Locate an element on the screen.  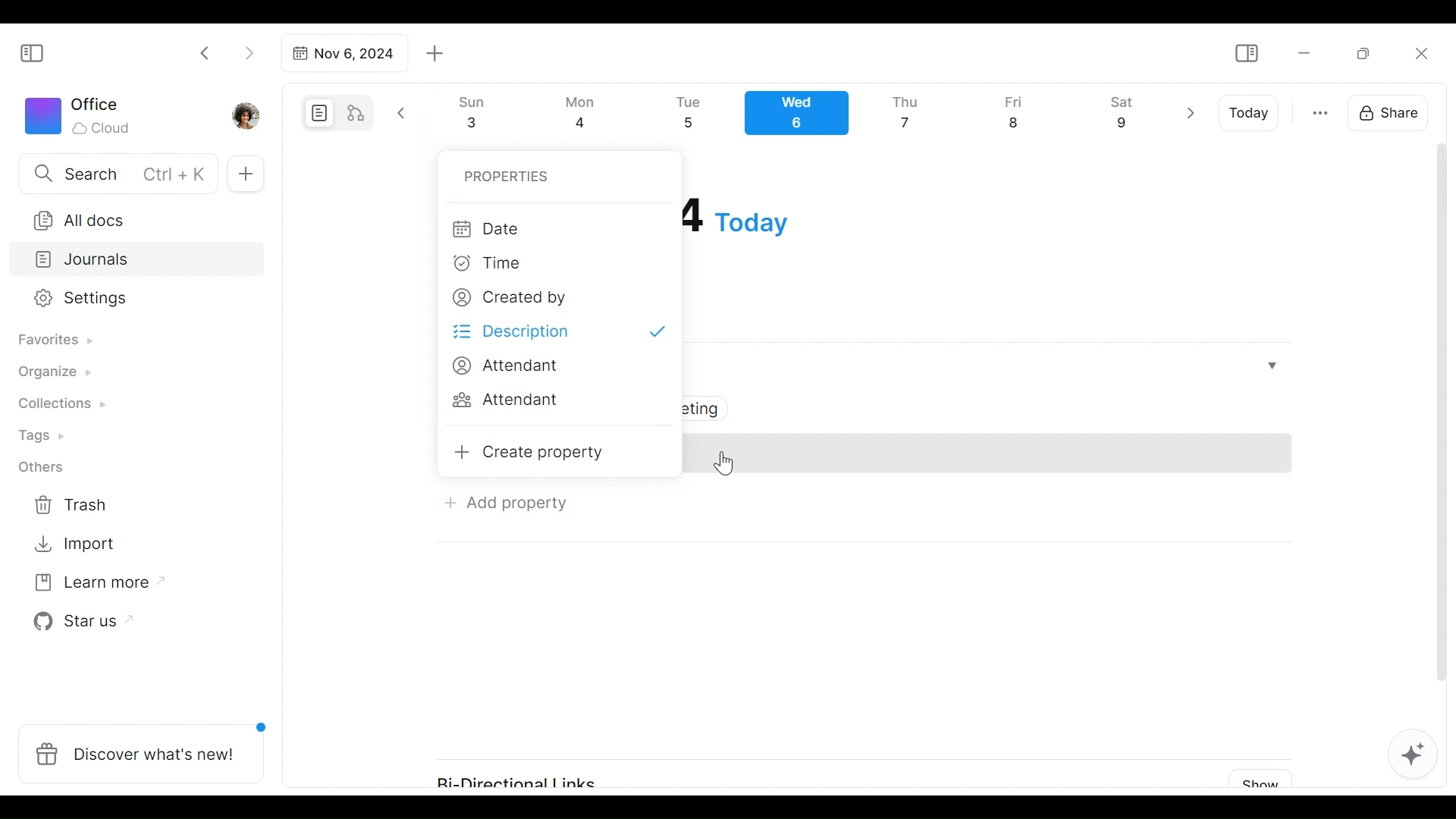
Calendar is located at coordinates (803, 117).